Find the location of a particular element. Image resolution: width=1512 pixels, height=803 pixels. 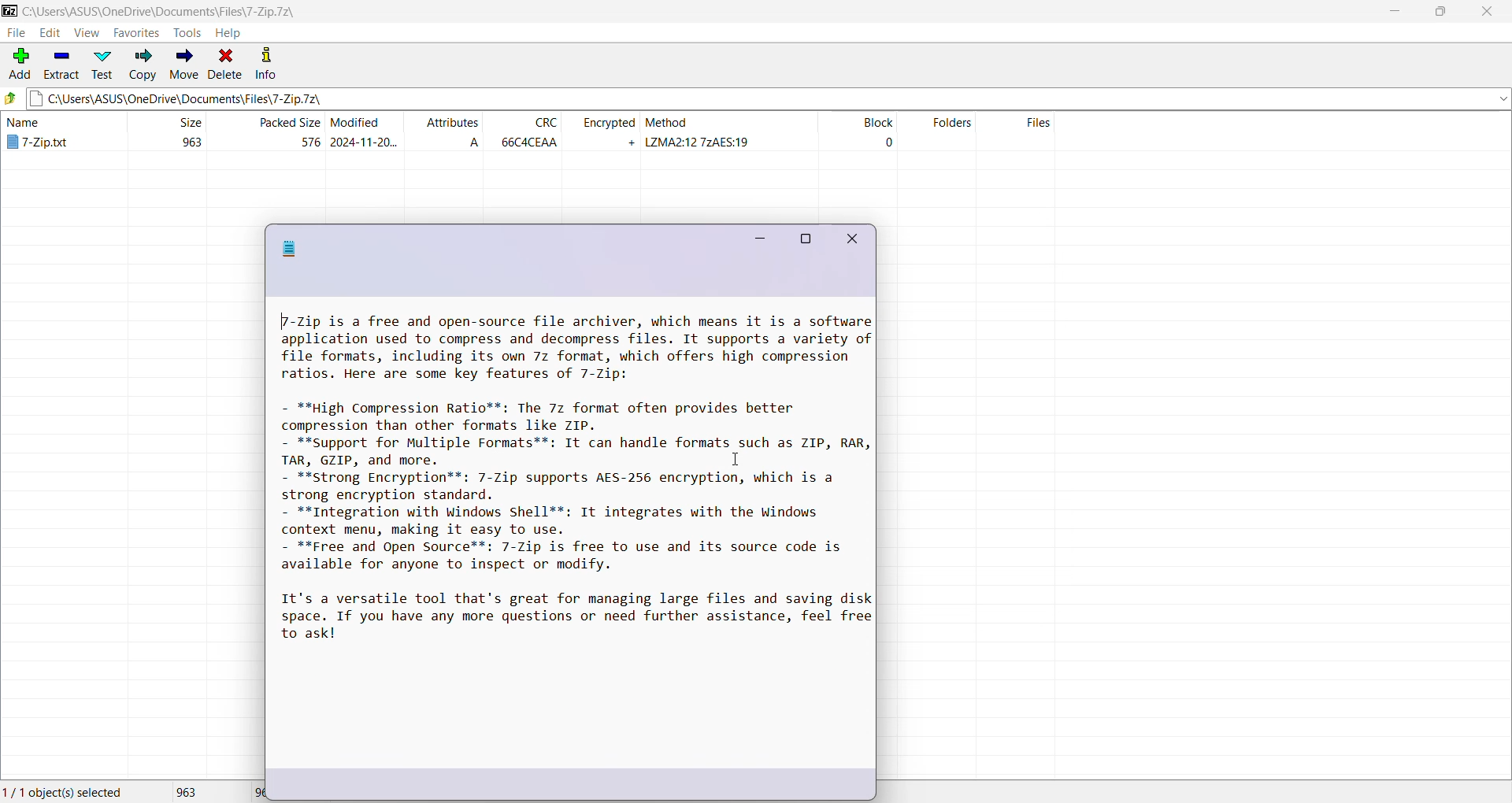

Edit is located at coordinates (48, 33).